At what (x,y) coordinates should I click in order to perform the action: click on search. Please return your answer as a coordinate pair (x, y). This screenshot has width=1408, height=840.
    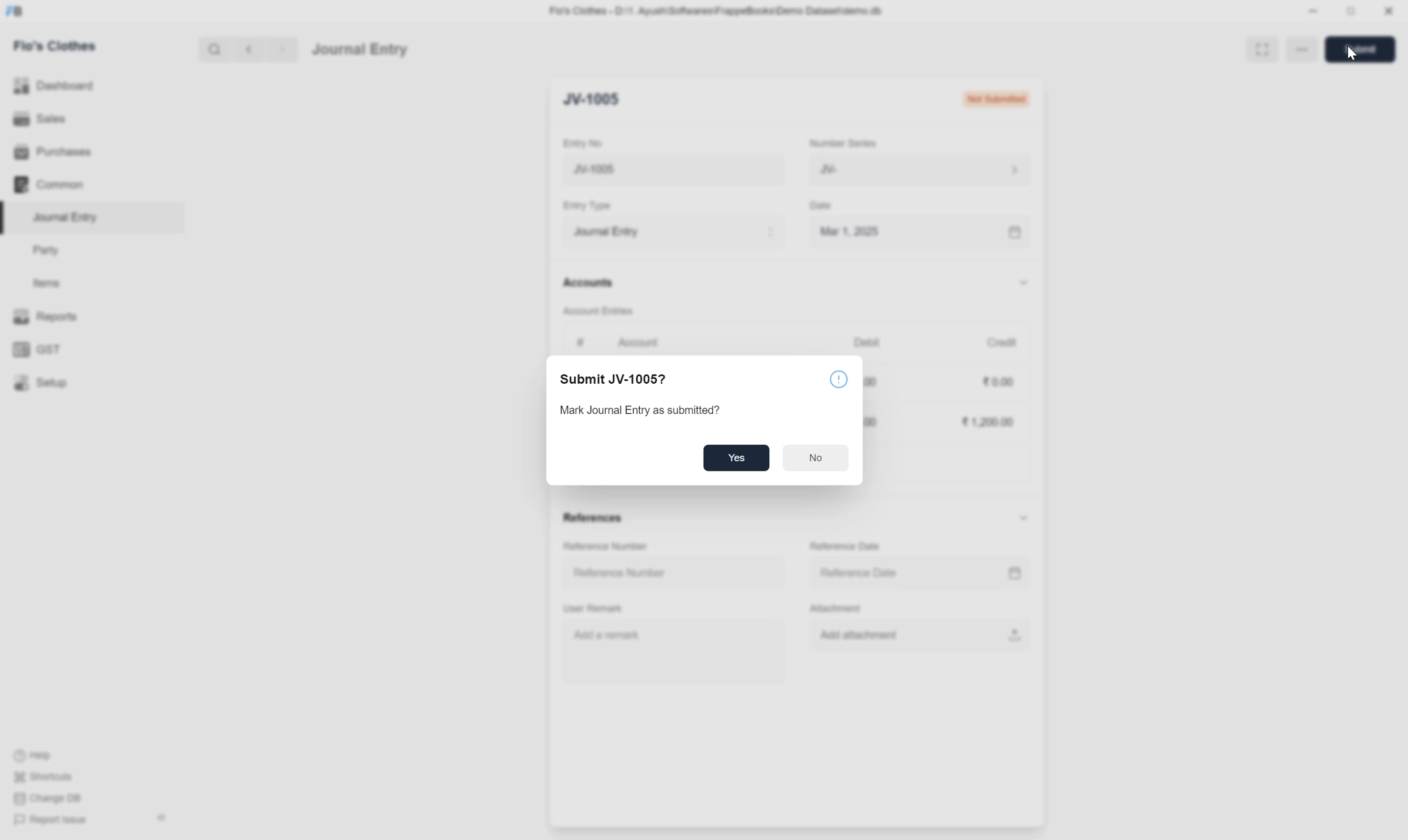
    Looking at the image, I should click on (213, 49).